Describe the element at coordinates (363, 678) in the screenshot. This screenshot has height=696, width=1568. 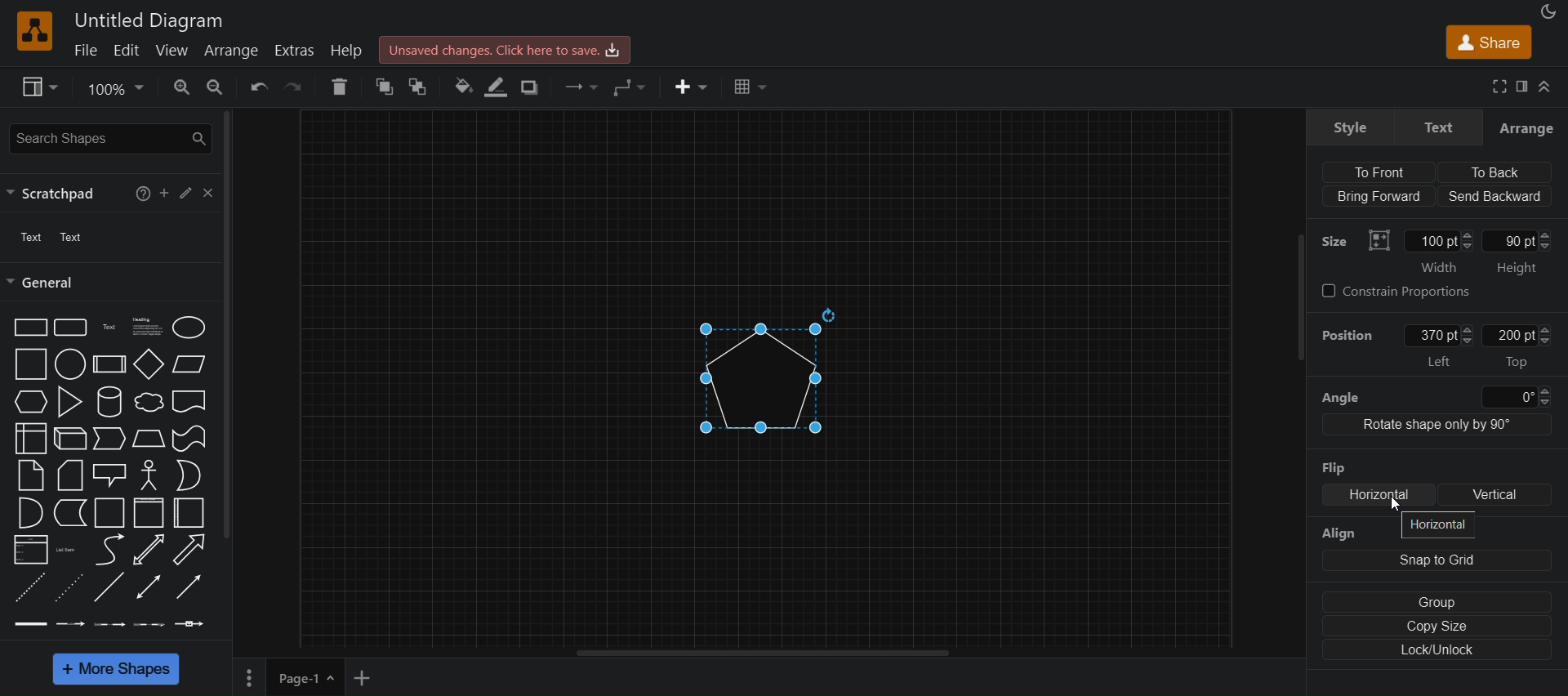
I see `add new page` at that location.